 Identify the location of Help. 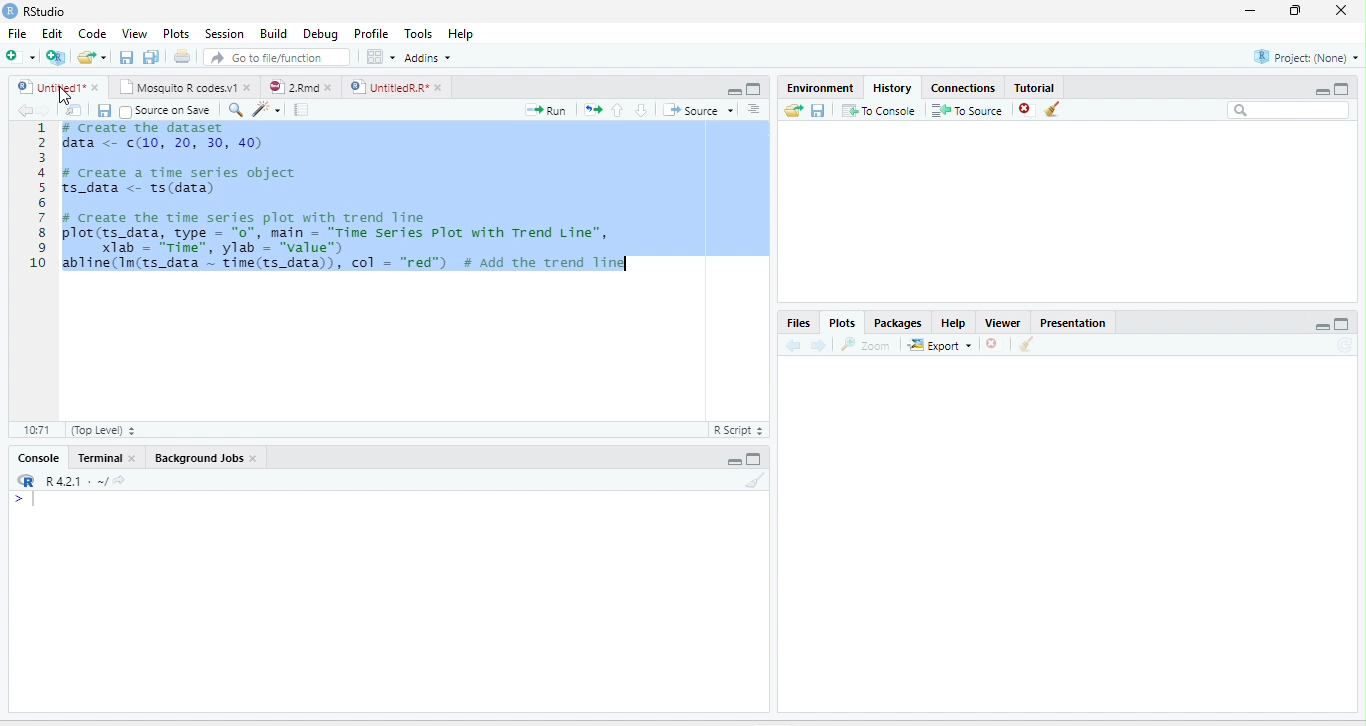
(460, 33).